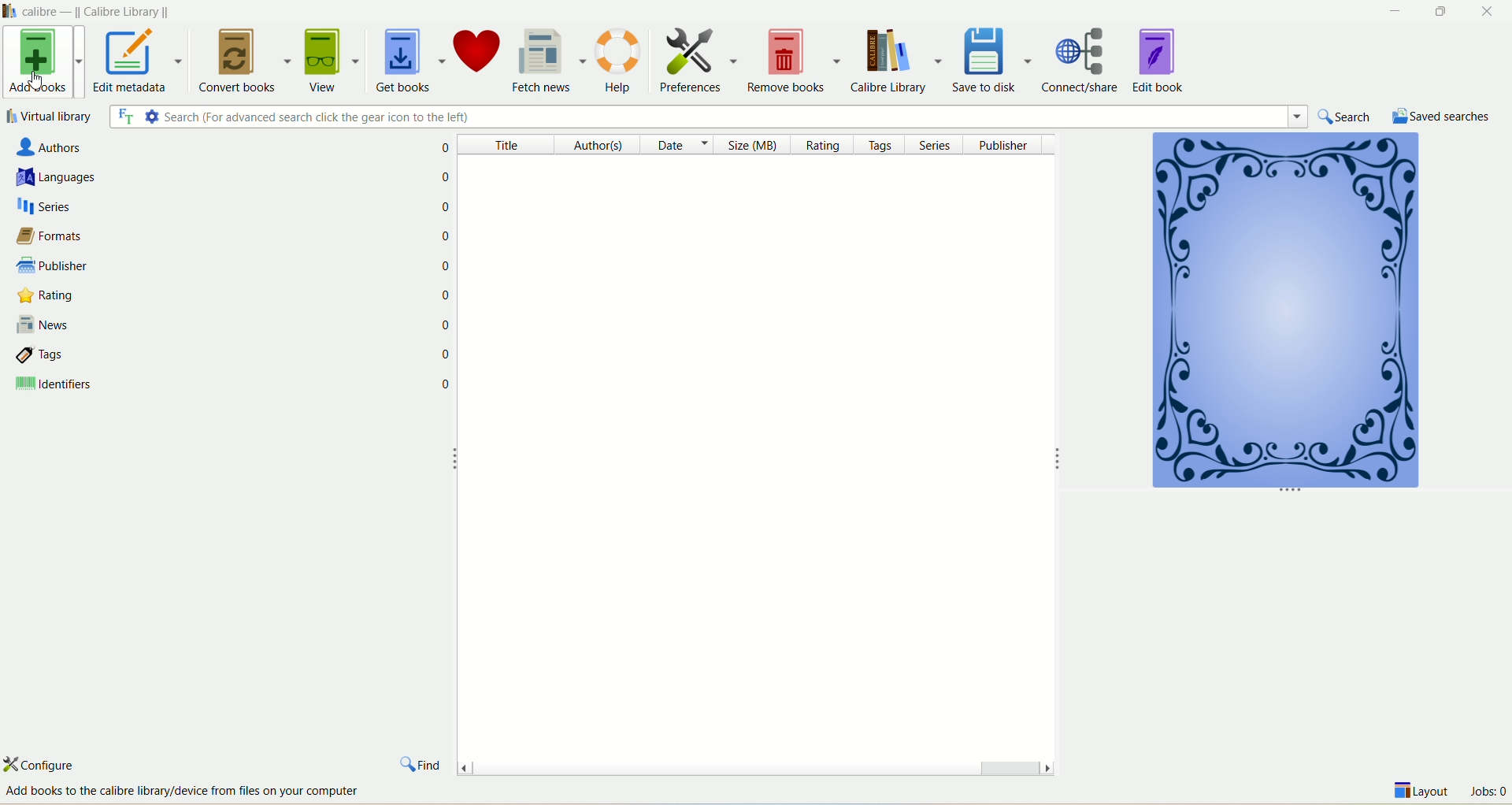 The height and width of the screenshot is (805, 1512). Describe the element at coordinates (408, 61) in the screenshot. I see `get books` at that location.